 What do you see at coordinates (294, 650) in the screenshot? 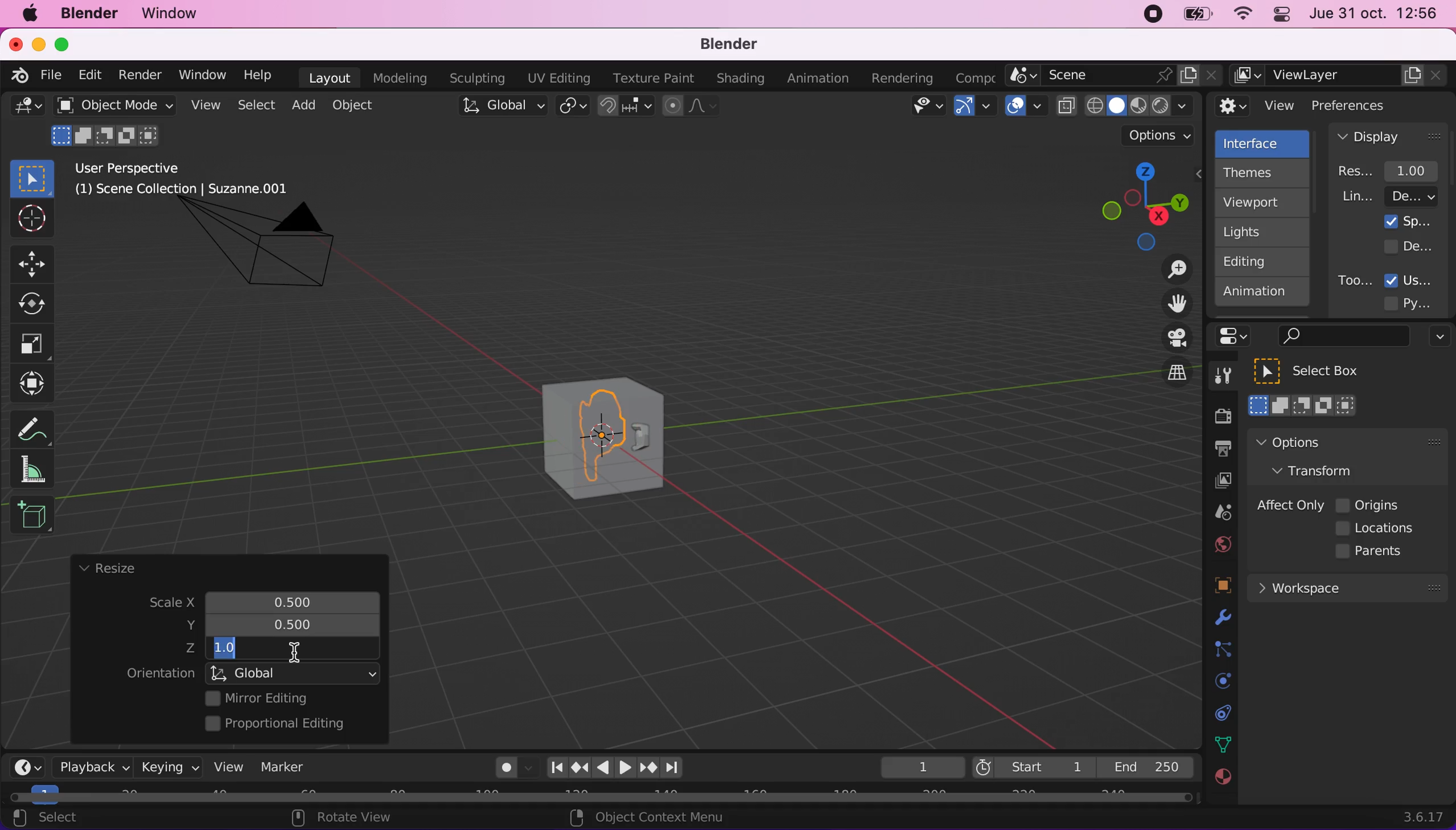
I see `cursor` at bounding box center [294, 650].